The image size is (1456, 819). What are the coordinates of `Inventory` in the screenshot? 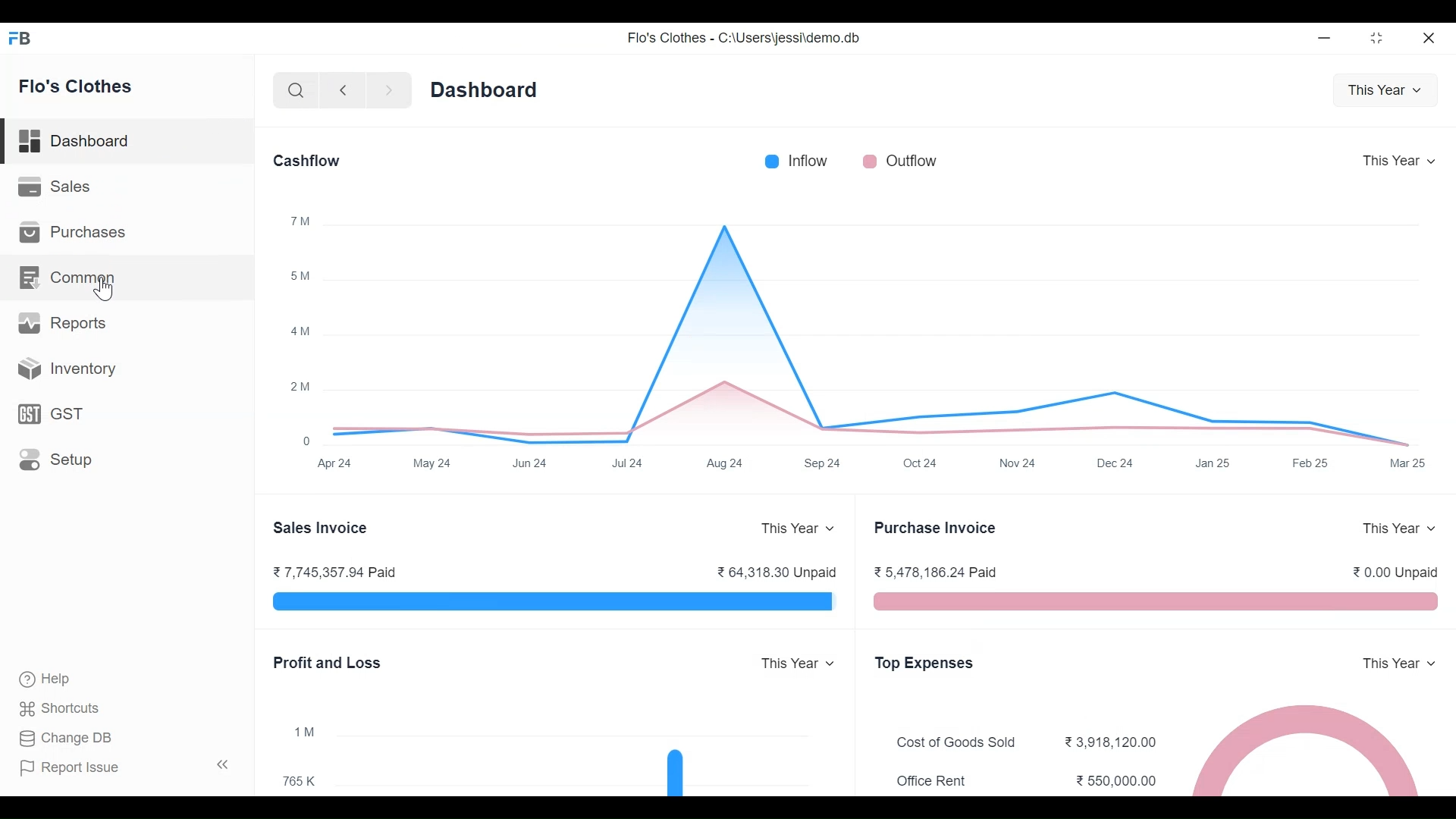 It's located at (67, 367).